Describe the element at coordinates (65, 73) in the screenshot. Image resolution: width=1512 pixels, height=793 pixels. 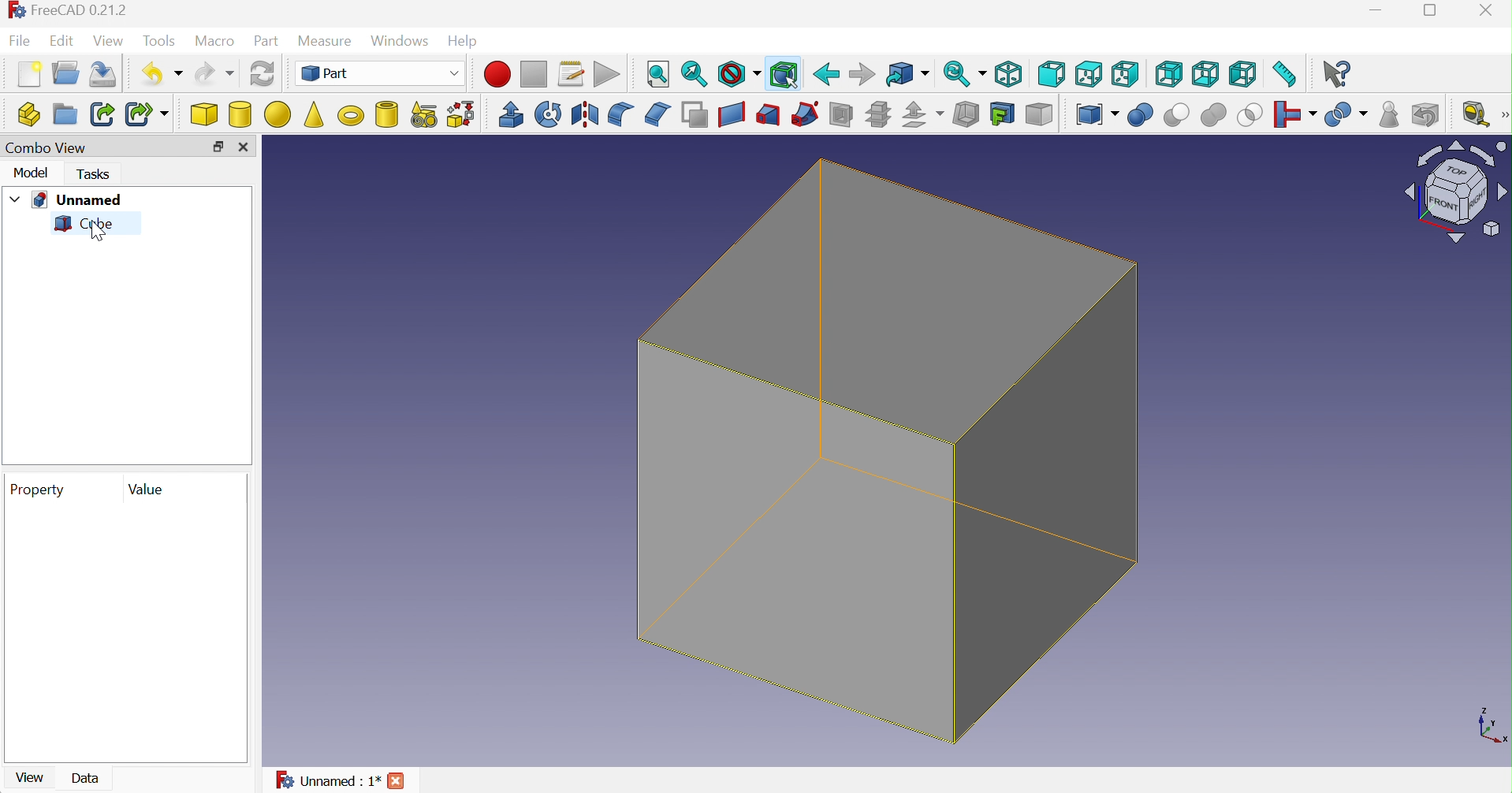
I see `Open` at that location.